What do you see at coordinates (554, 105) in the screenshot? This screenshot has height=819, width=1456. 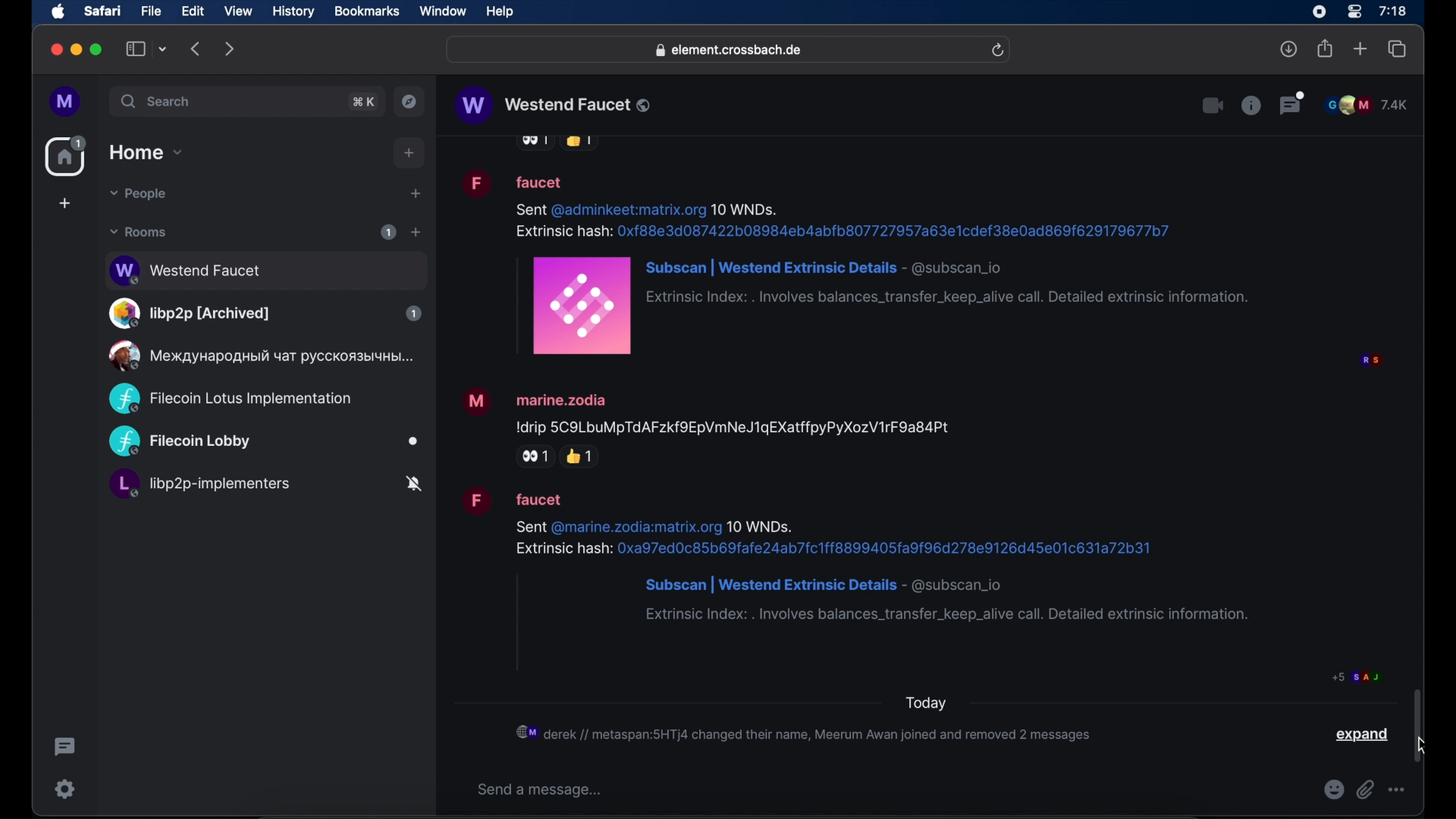 I see `public room name` at bounding box center [554, 105].